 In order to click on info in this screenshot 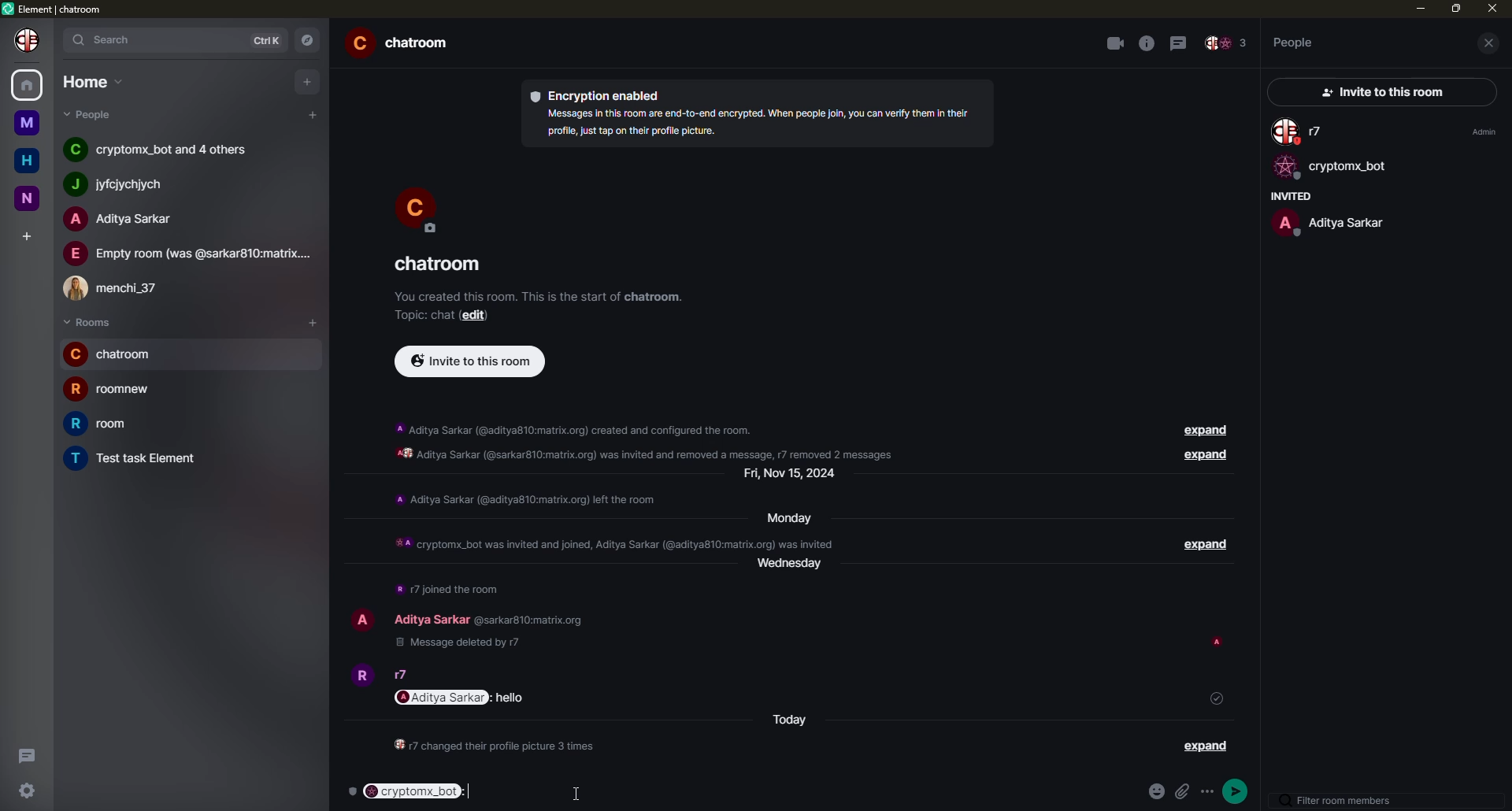, I will do `click(613, 542)`.